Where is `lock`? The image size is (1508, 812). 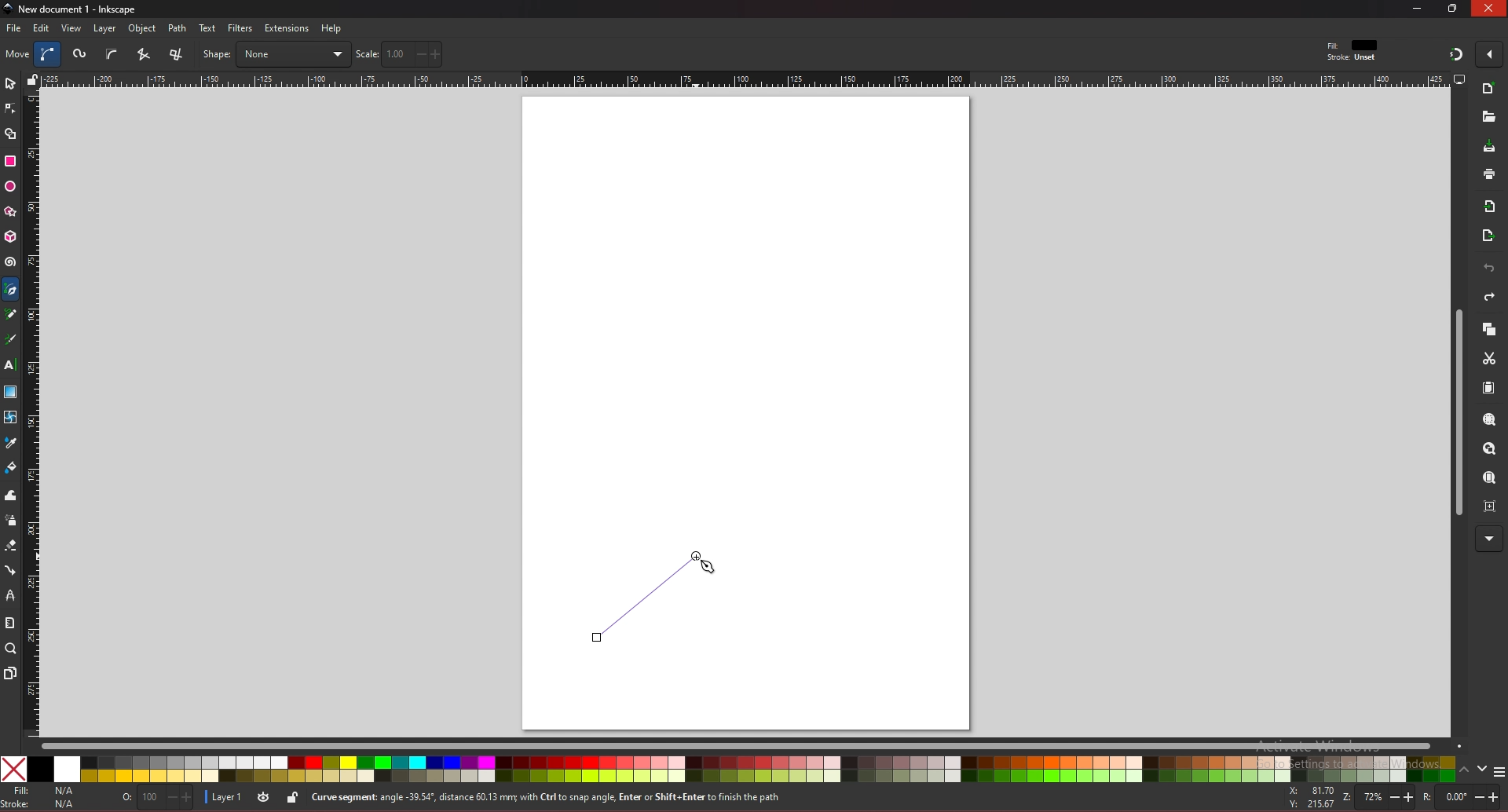 lock is located at coordinates (292, 797).